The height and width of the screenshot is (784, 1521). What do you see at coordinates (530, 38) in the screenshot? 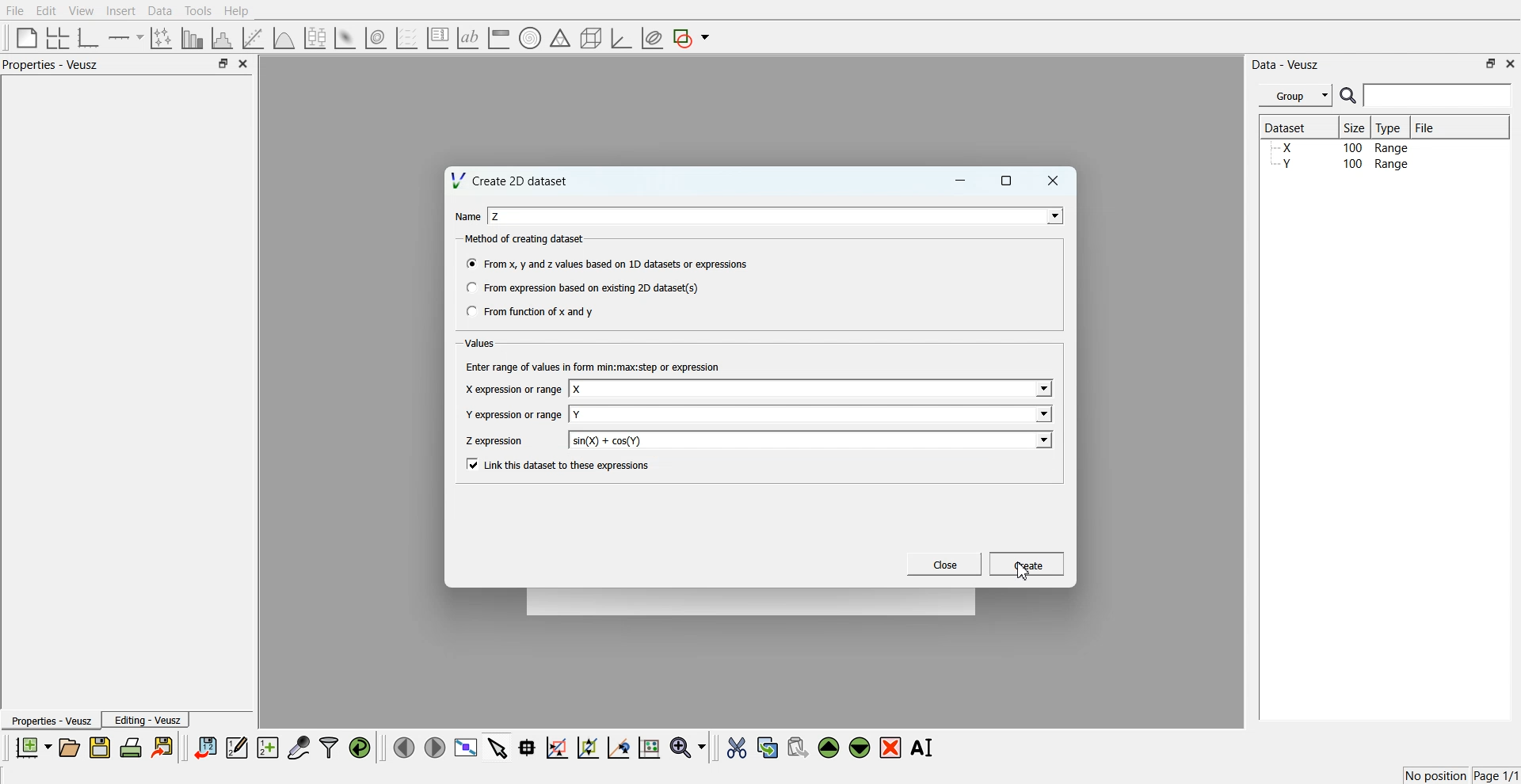
I see `Polar Graph` at bounding box center [530, 38].